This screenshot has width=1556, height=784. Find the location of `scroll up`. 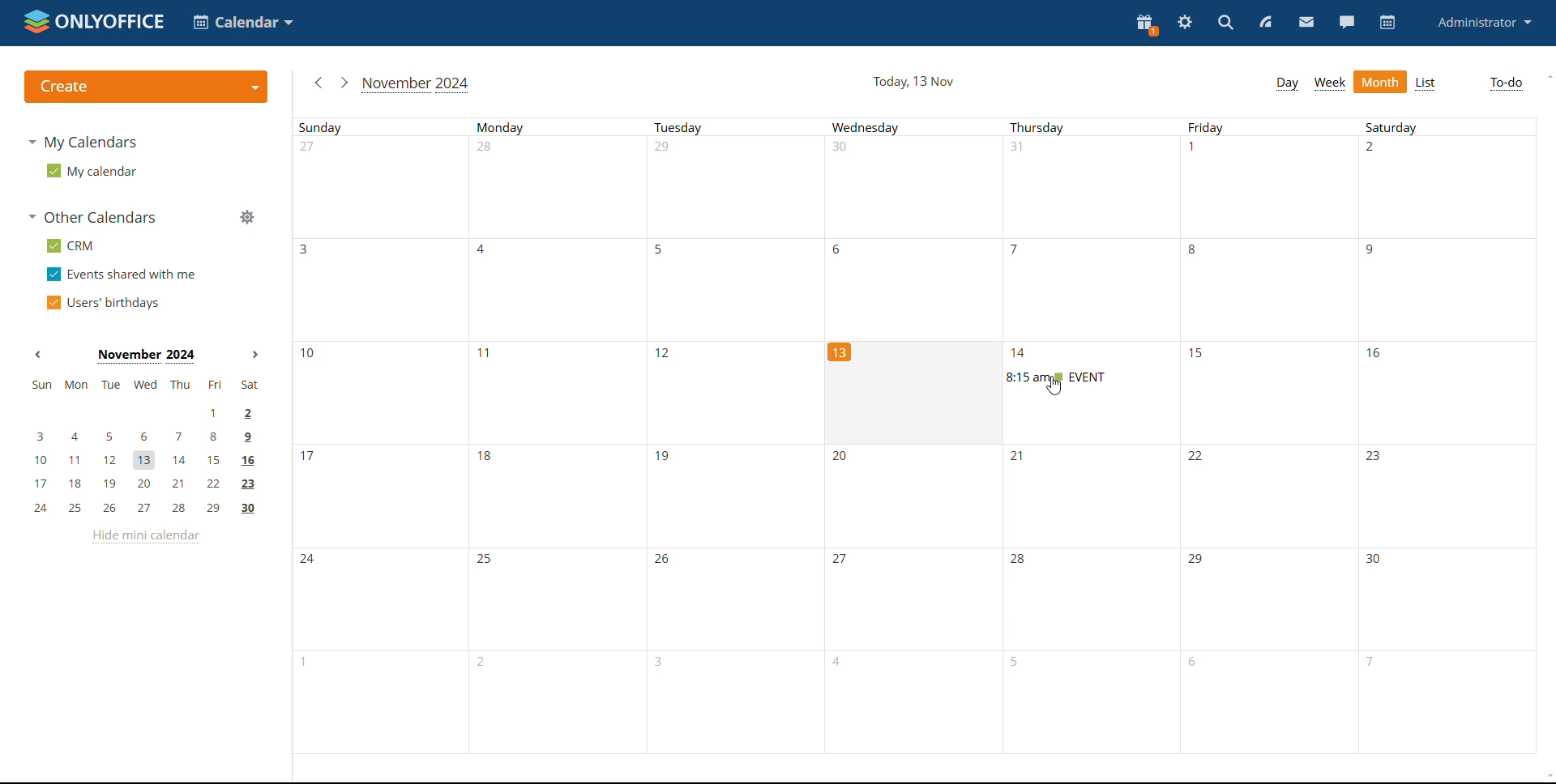

scroll up is located at coordinates (1549, 76).